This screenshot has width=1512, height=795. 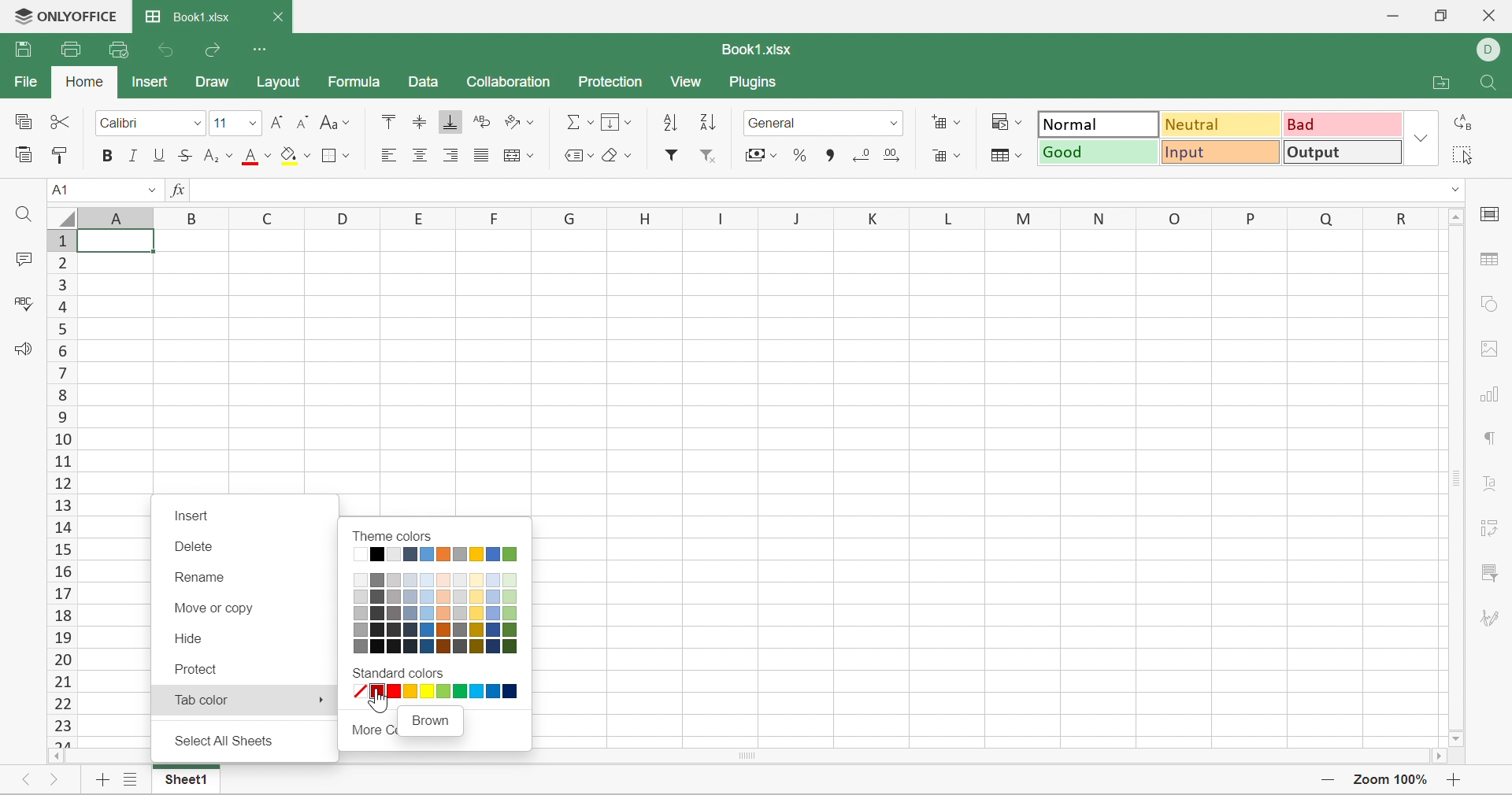 I want to click on Italic, so click(x=135, y=157).